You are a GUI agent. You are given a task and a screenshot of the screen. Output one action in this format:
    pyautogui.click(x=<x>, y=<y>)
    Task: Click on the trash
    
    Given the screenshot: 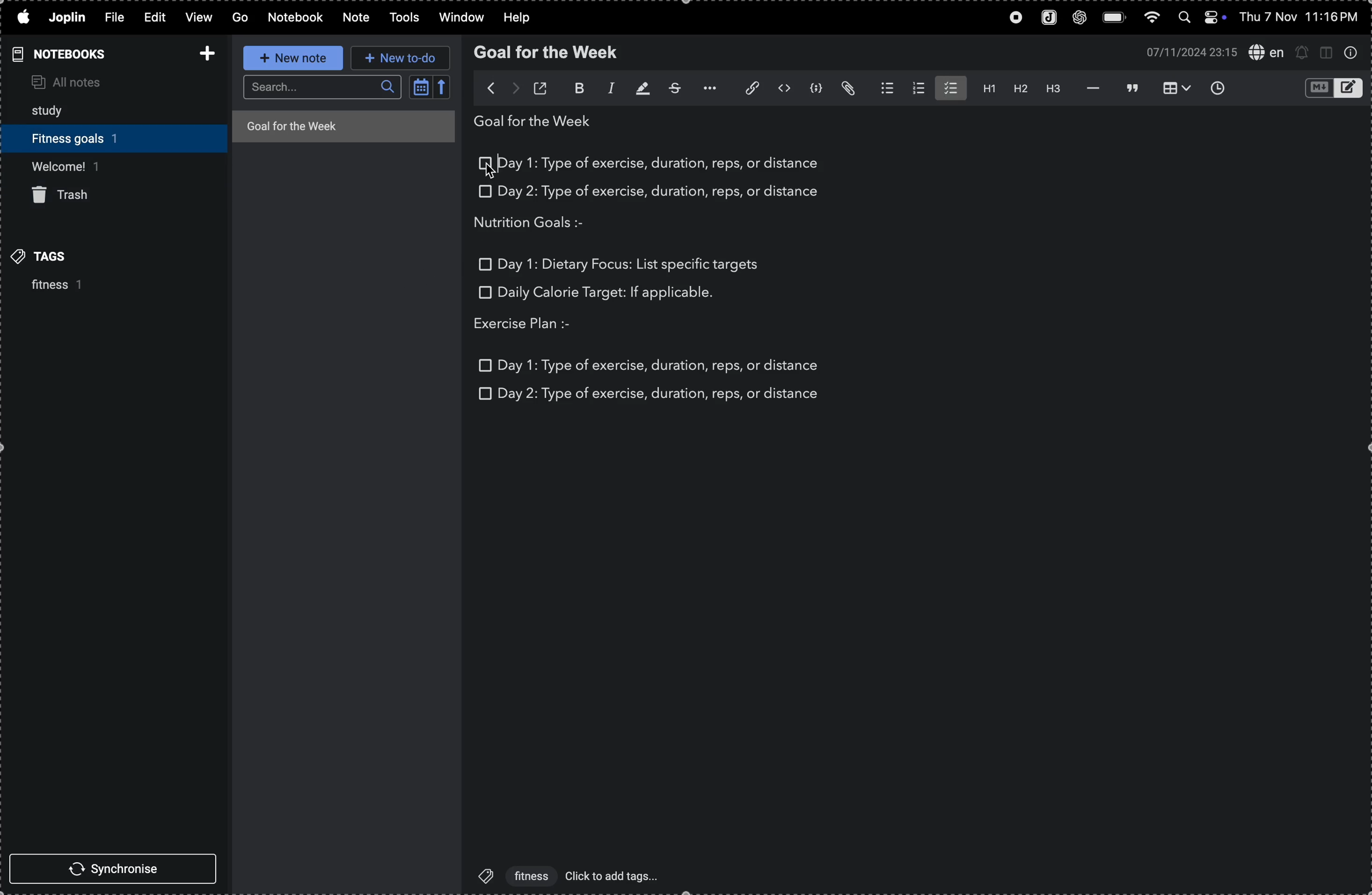 What is the action you would take?
    pyautogui.click(x=69, y=196)
    